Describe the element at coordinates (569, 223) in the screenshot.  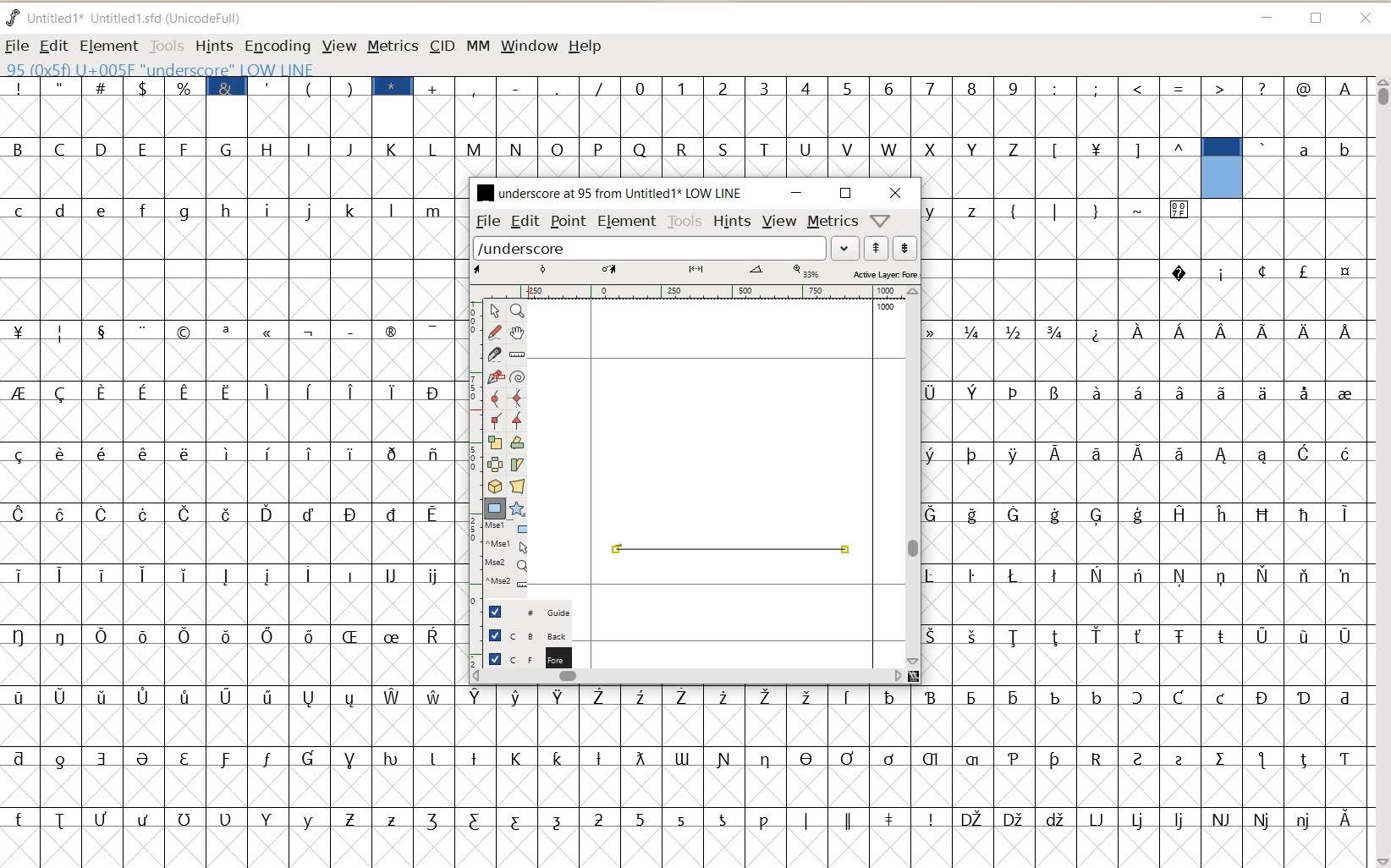
I see `POINT` at that location.